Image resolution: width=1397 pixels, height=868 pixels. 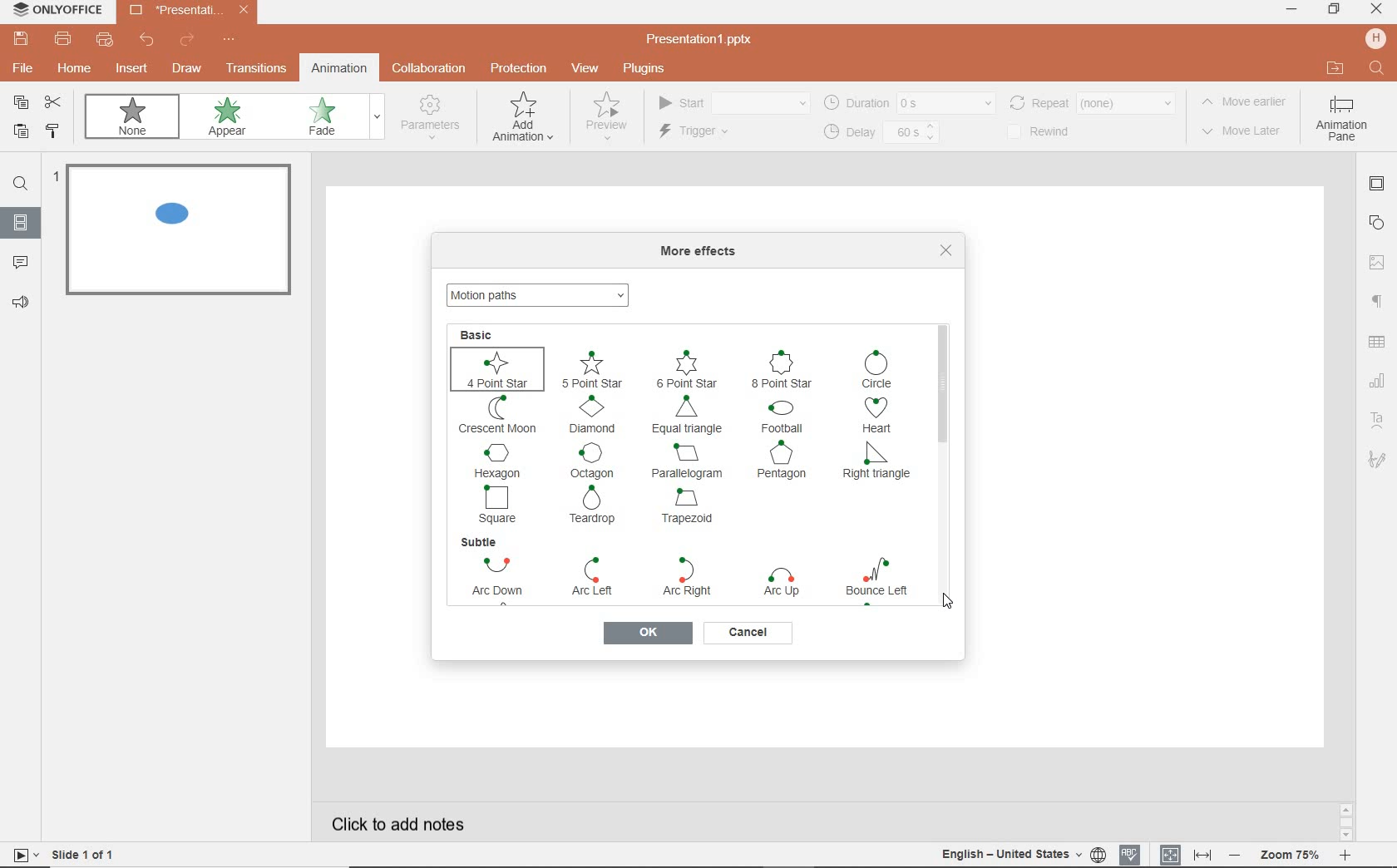 I want to click on feedback & support, so click(x=22, y=303).